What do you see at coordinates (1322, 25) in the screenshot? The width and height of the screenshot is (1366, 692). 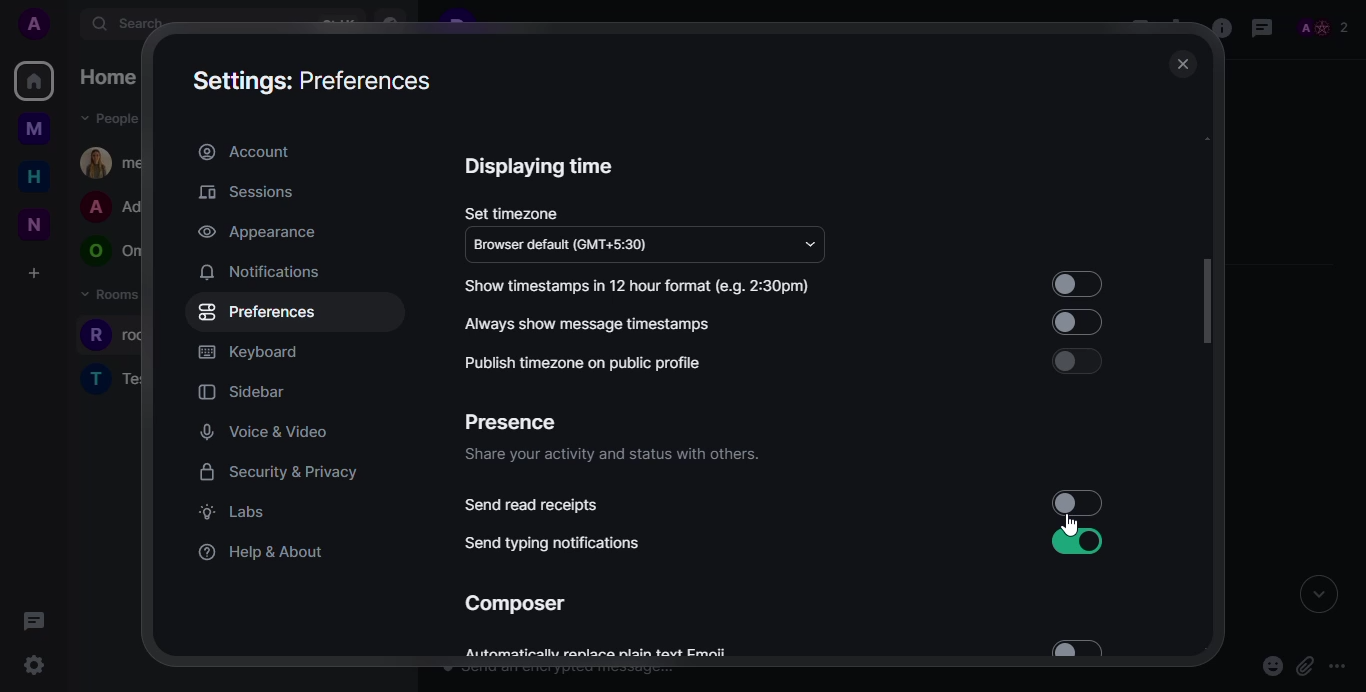 I see `people` at bounding box center [1322, 25].